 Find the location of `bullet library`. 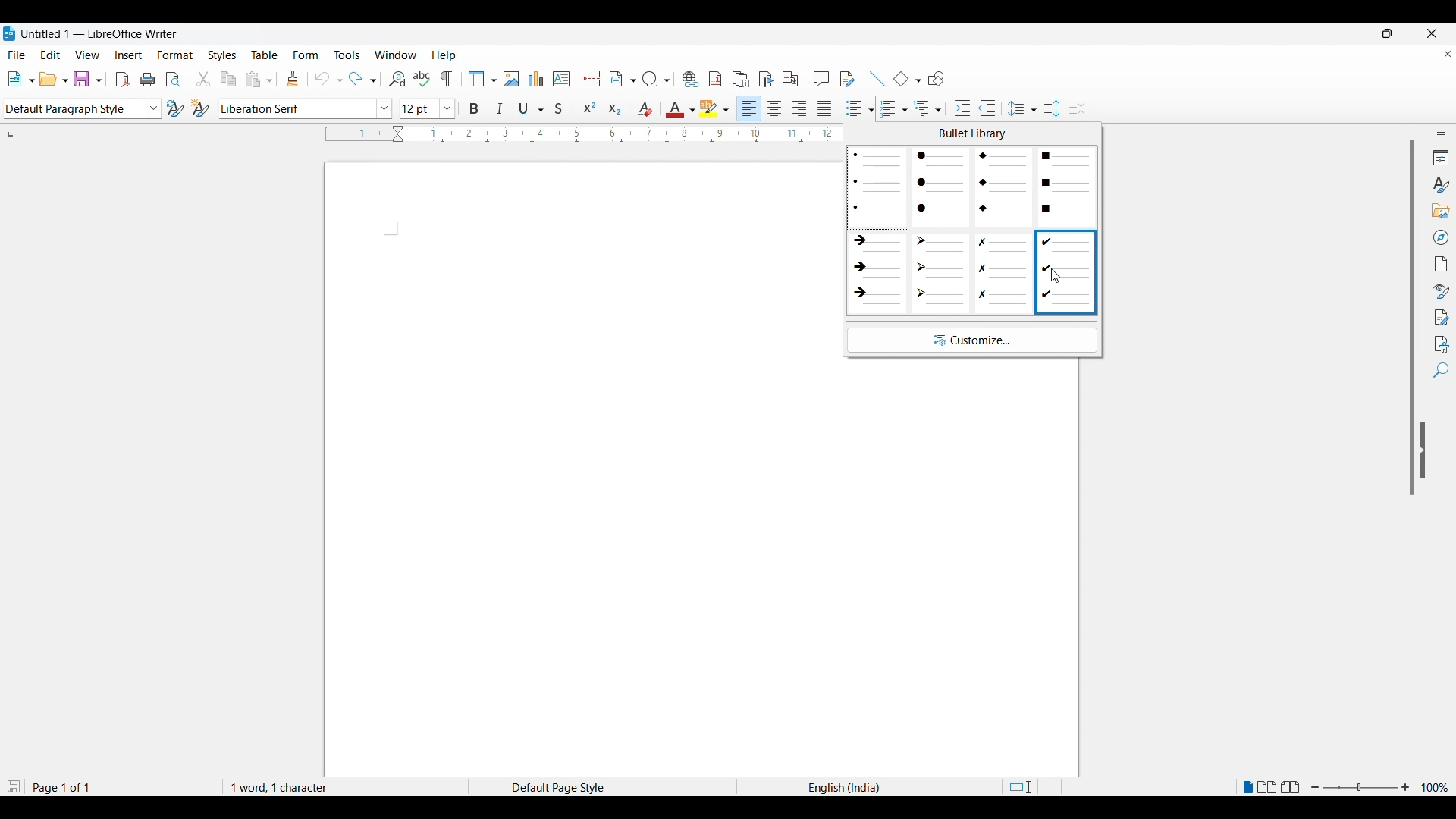

bullet library is located at coordinates (969, 134).